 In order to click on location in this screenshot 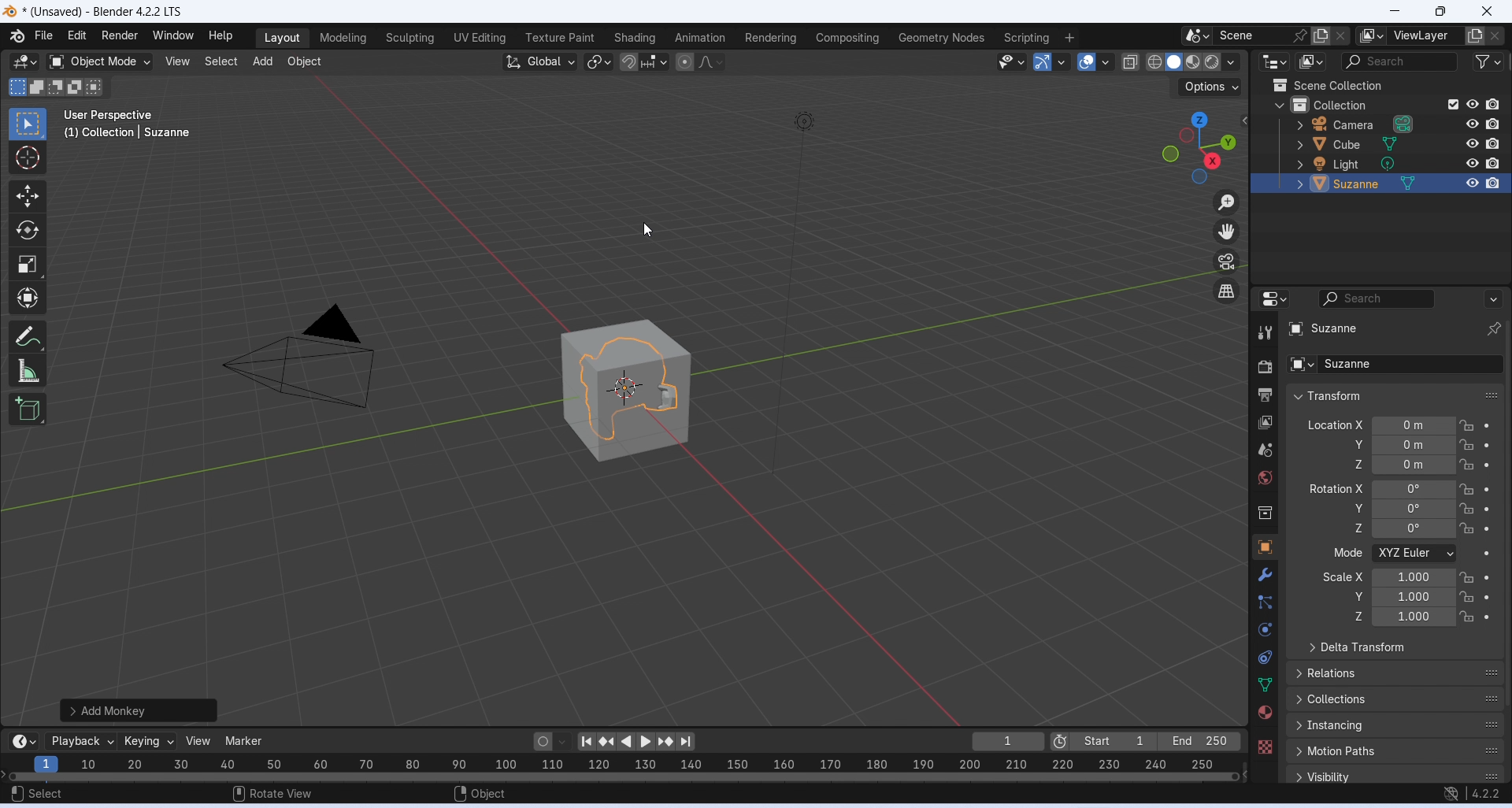, I will do `click(1415, 425)`.